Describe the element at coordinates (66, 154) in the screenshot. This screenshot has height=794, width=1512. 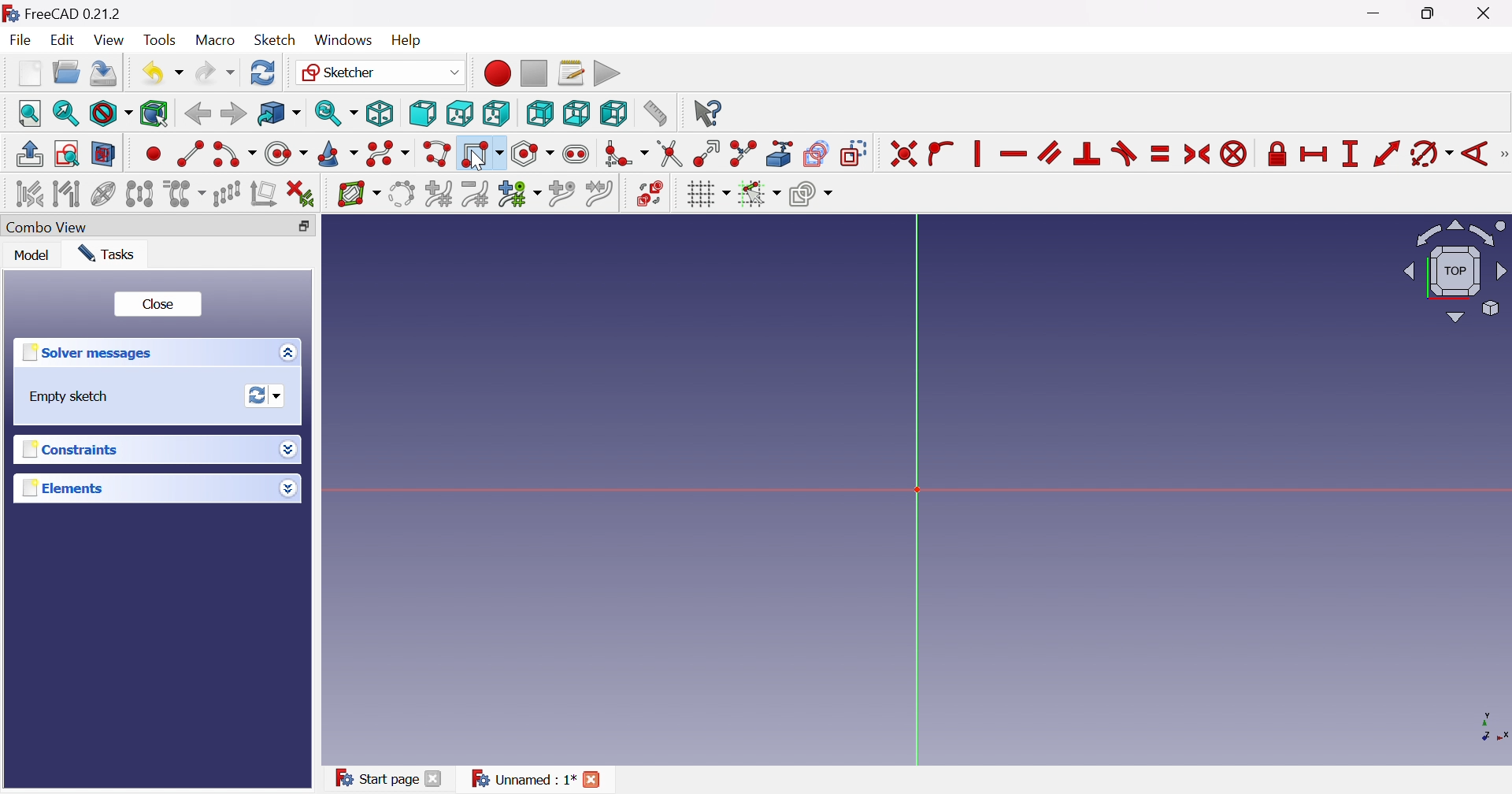
I see `View sketch` at that location.